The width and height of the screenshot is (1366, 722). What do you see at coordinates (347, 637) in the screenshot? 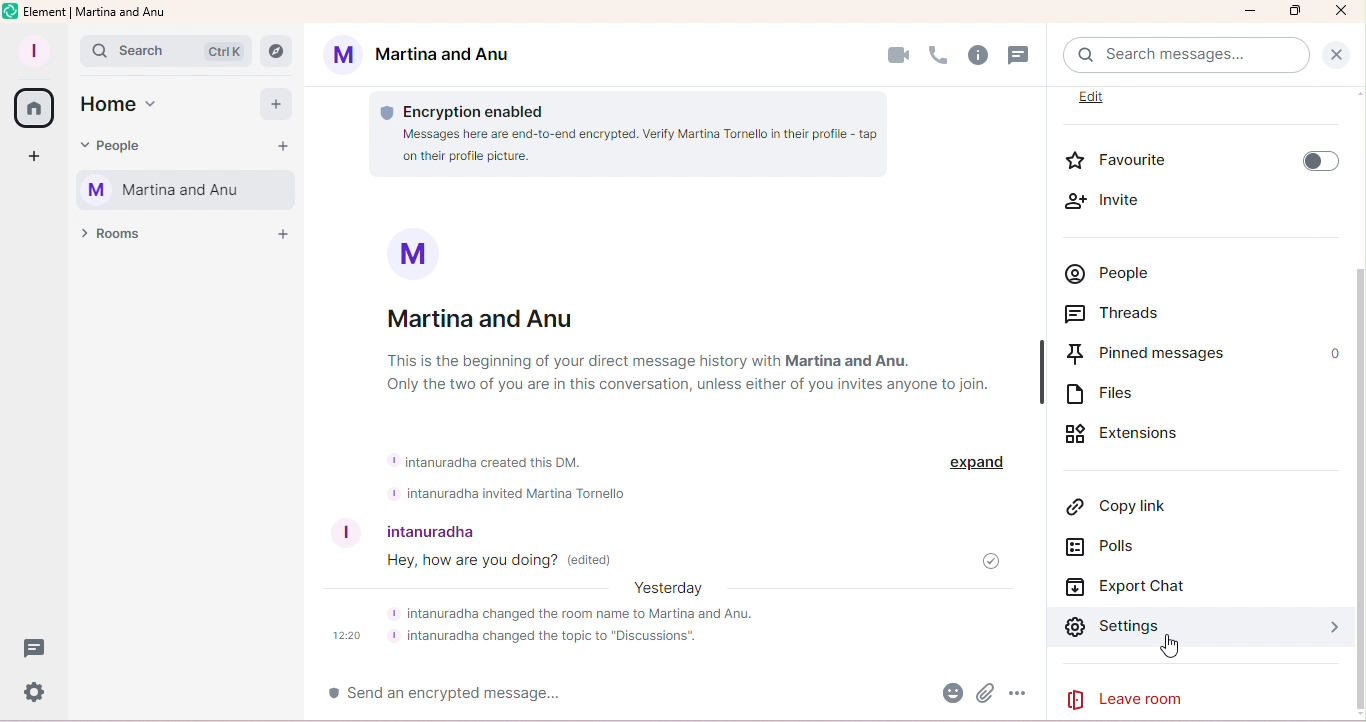
I see `12:20` at bounding box center [347, 637].